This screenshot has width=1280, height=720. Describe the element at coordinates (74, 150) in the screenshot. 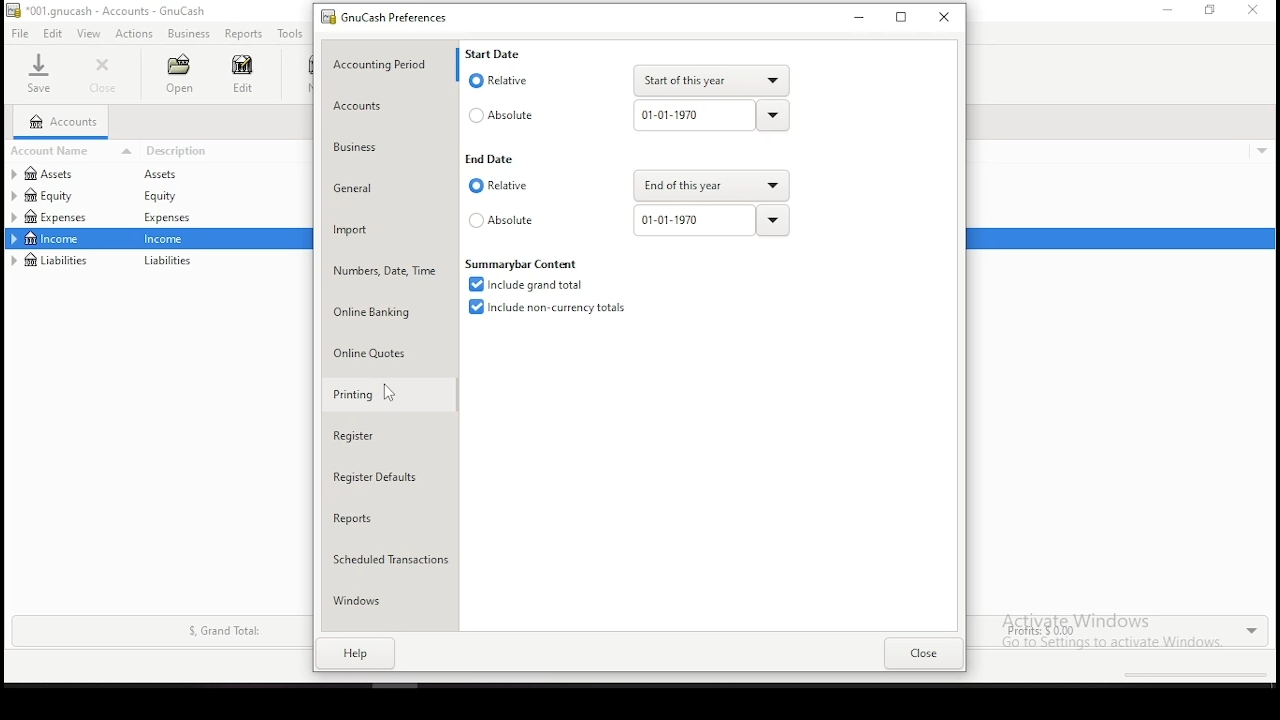

I see `account name` at that location.